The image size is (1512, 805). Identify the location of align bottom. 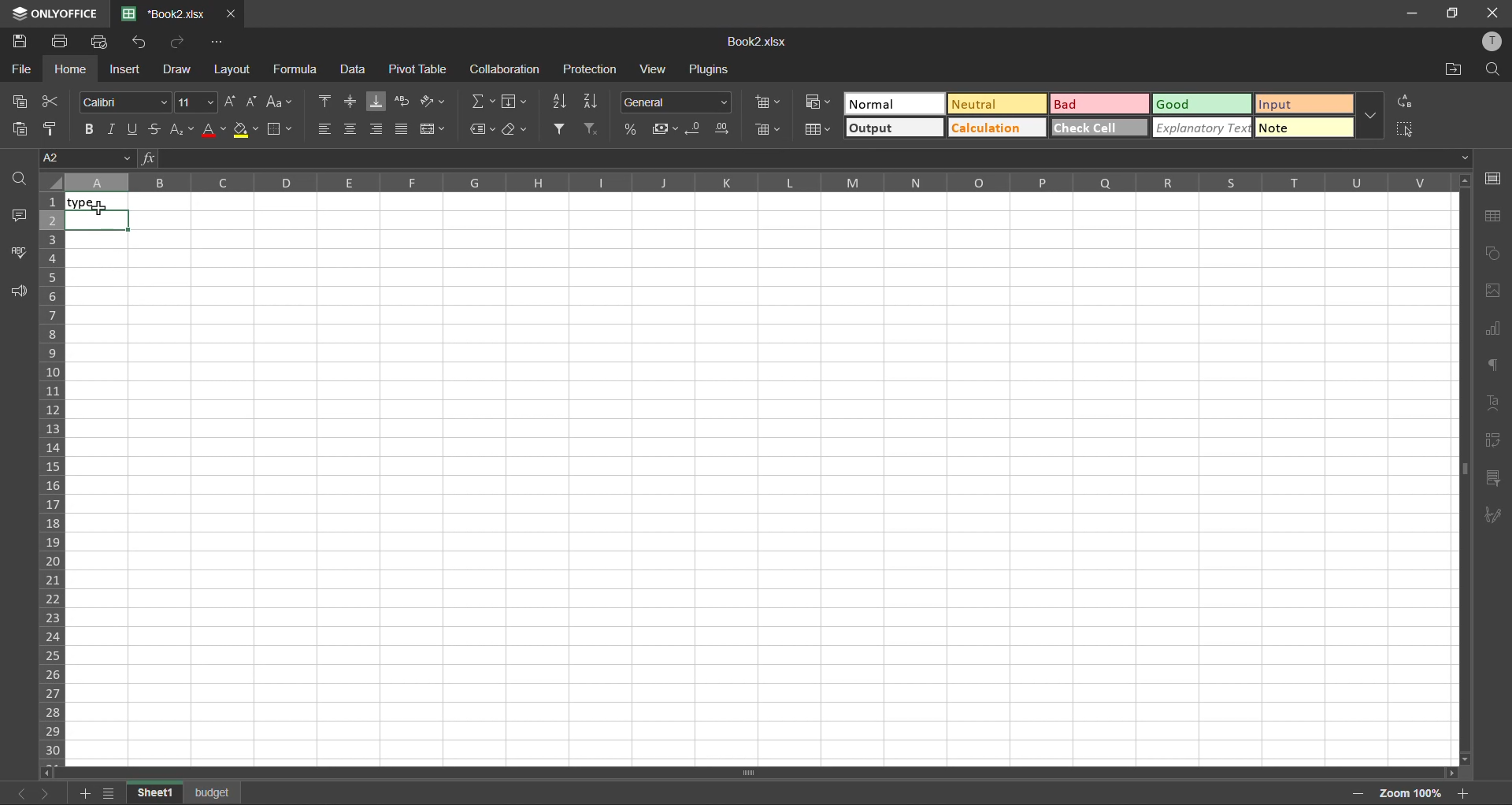
(377, 102).